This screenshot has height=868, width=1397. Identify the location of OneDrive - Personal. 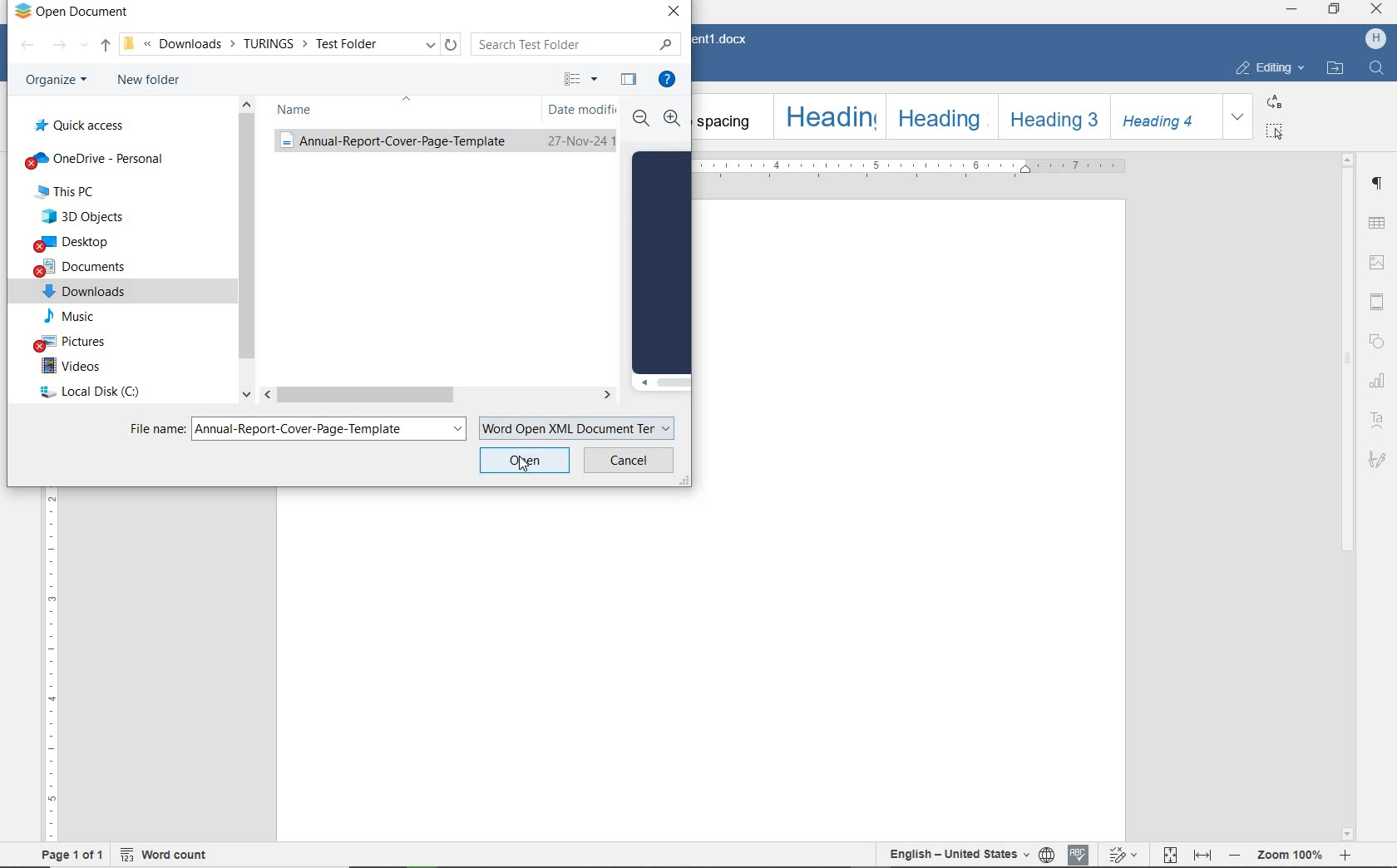
(93, 160).